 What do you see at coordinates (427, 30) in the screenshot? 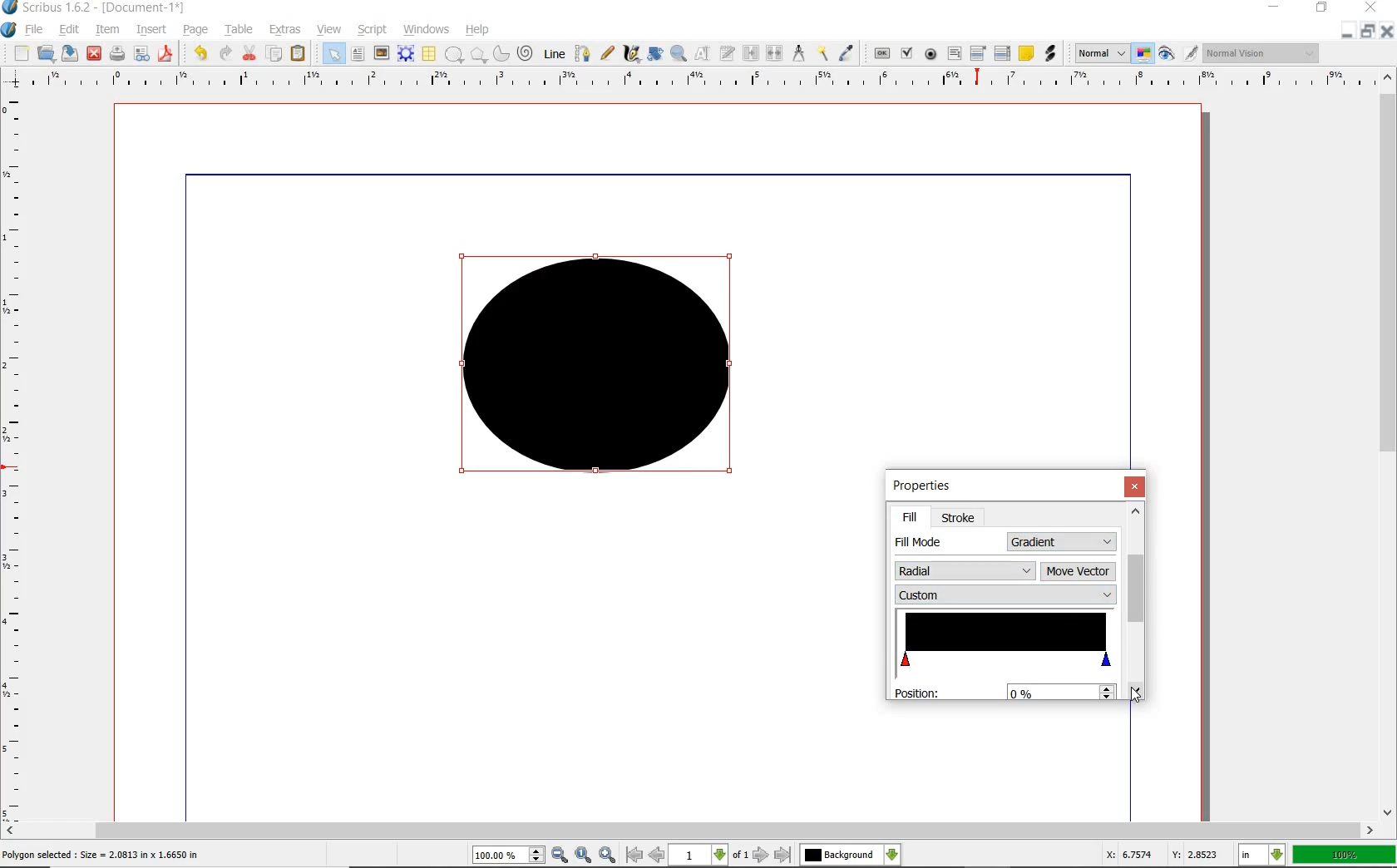
I see `WINDOWS` at bounding box center [427, 30].